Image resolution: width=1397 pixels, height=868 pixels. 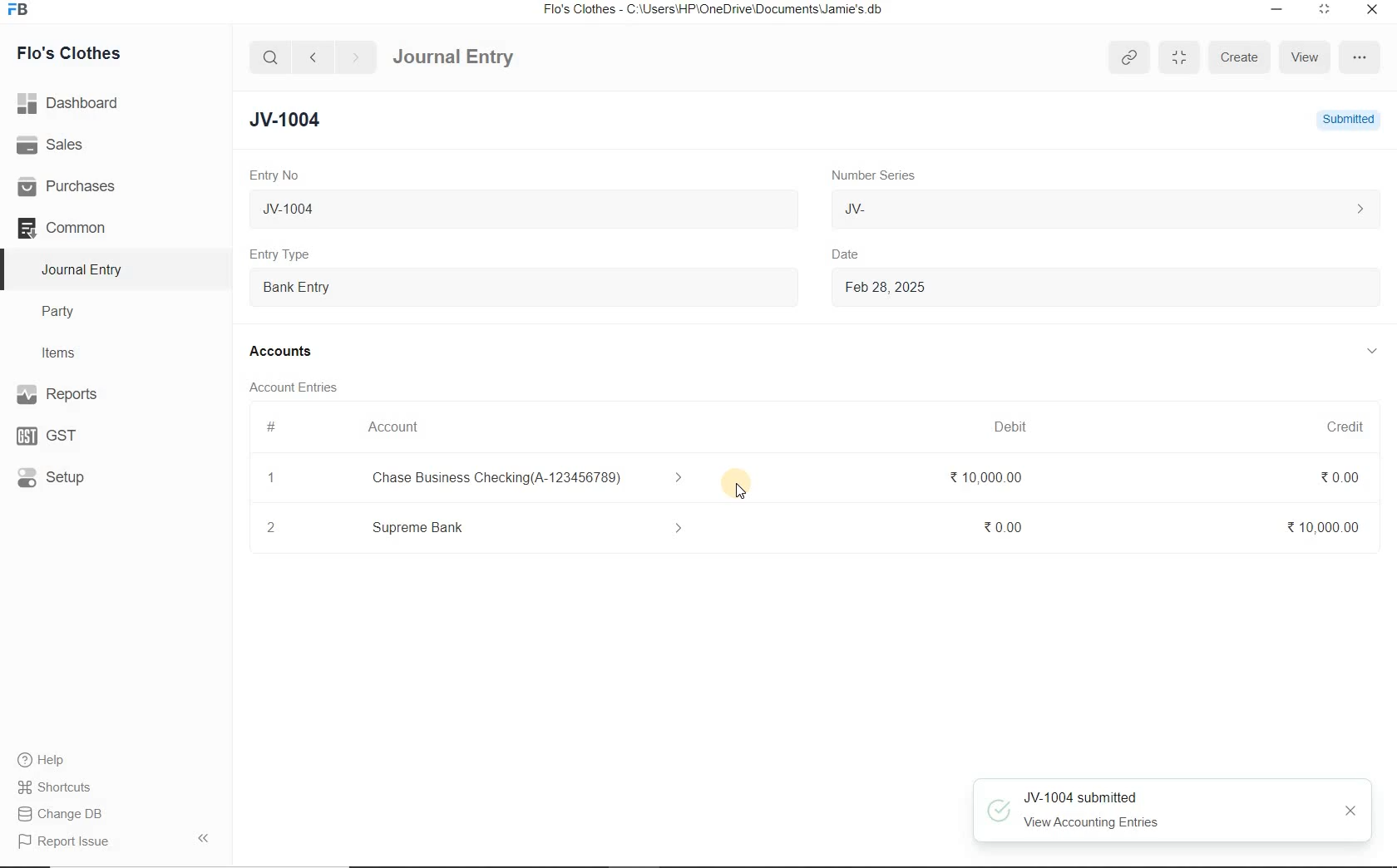 I want to click on Submitted, so click(x=1346, y=118).